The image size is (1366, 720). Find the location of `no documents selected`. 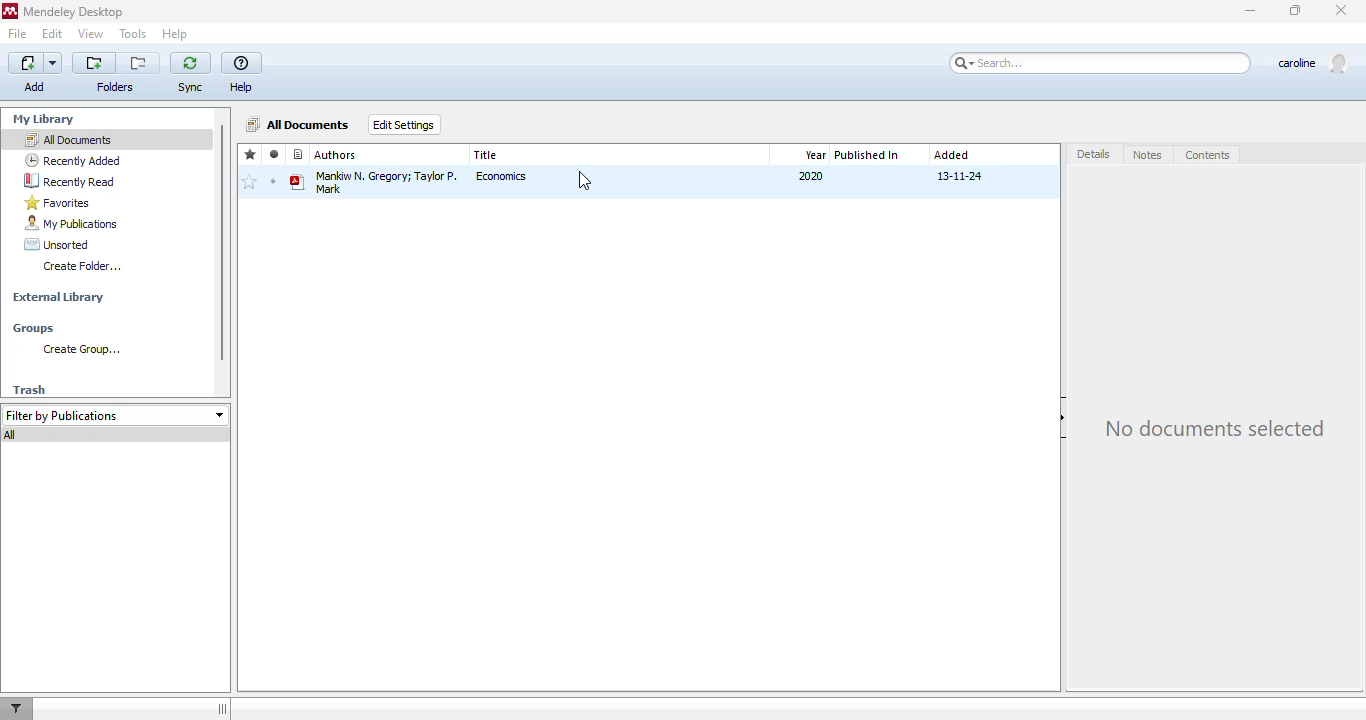

no documents selected is located at coordinates (1215, 427).